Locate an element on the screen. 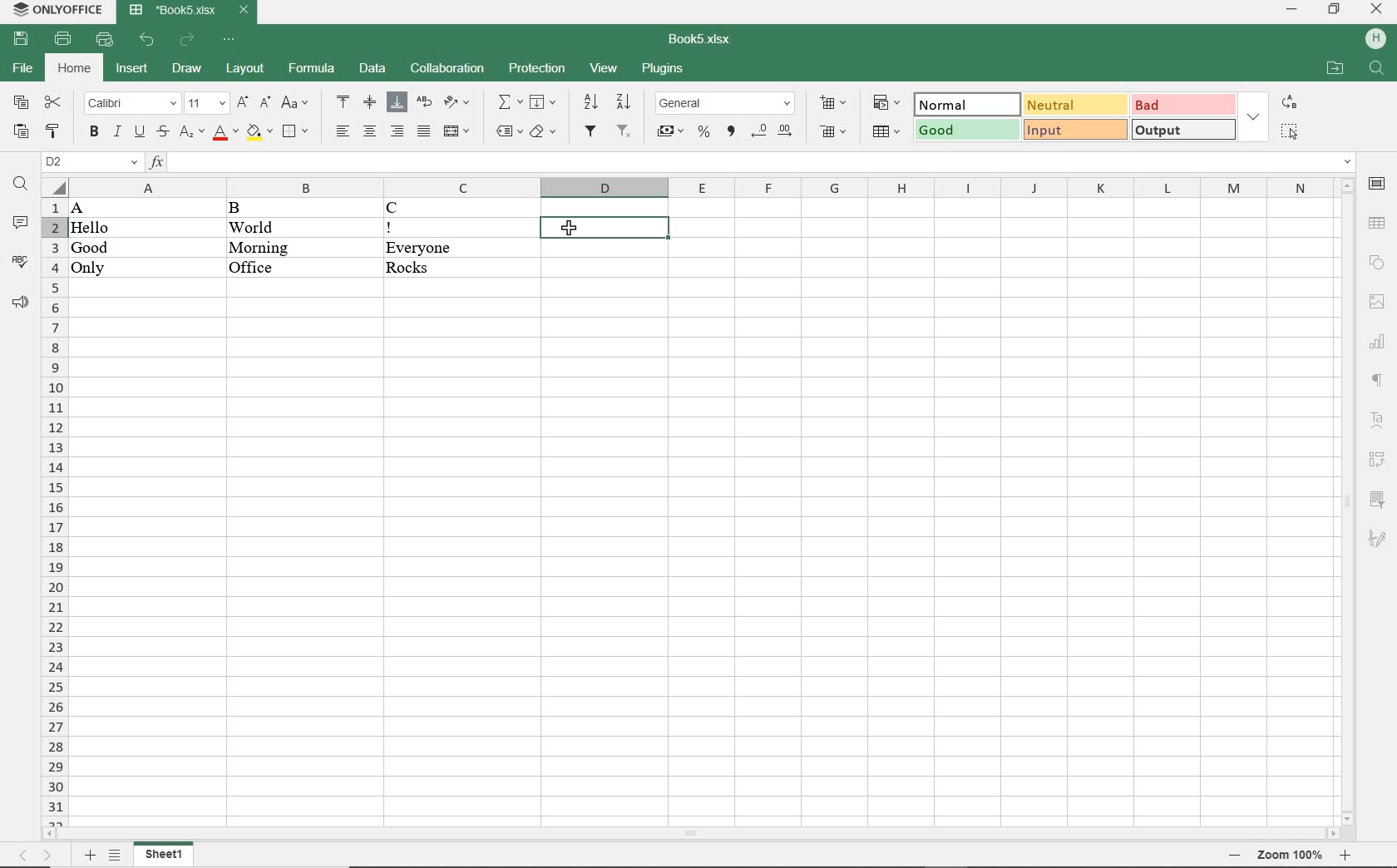 Image resolution: width=1397 pixels, height=868 pixels. MERGE & CENTER is located at coordinates (457, 132).